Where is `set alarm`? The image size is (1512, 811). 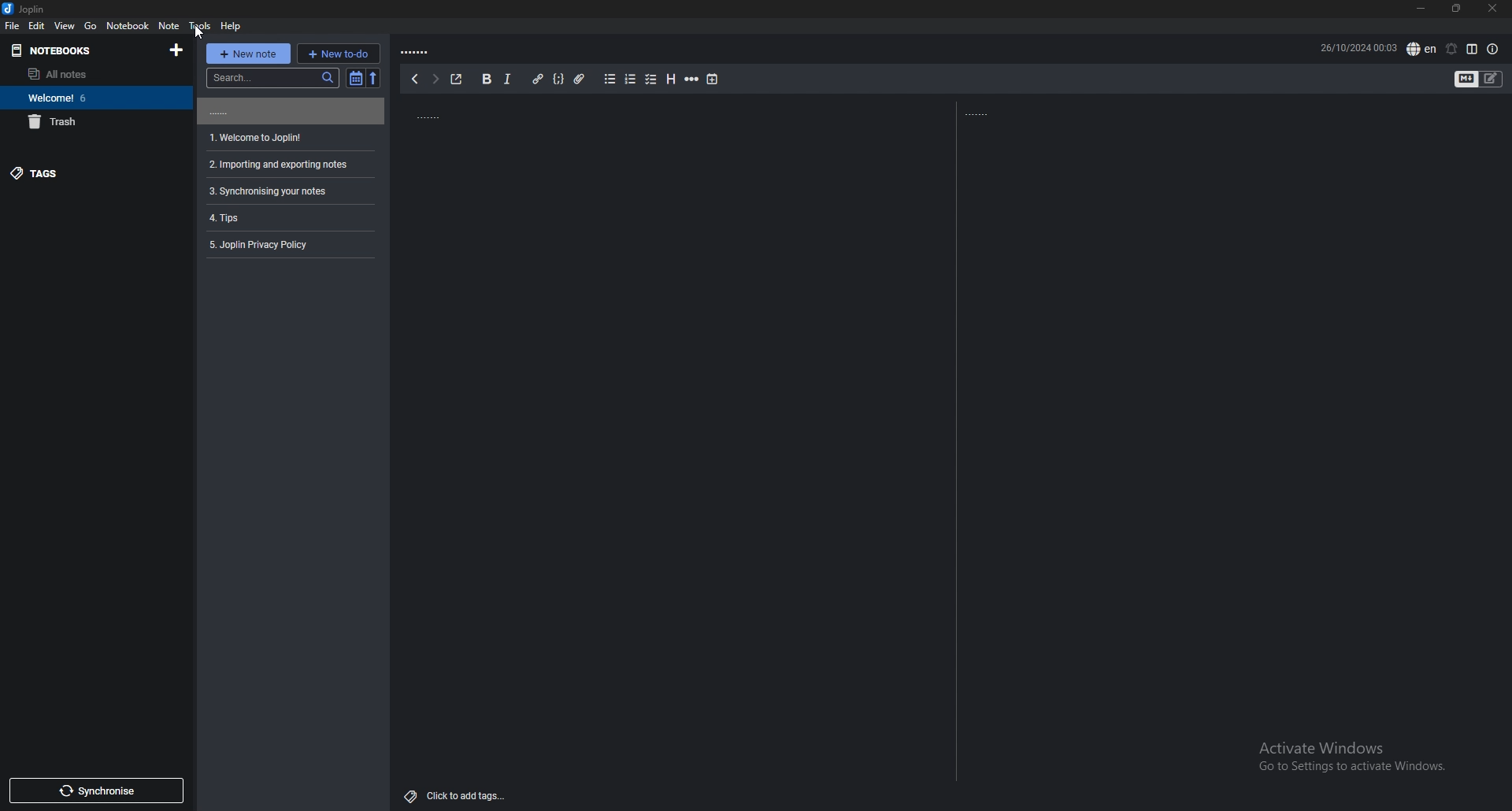
set alarm is located at coordinates (1452, 48).